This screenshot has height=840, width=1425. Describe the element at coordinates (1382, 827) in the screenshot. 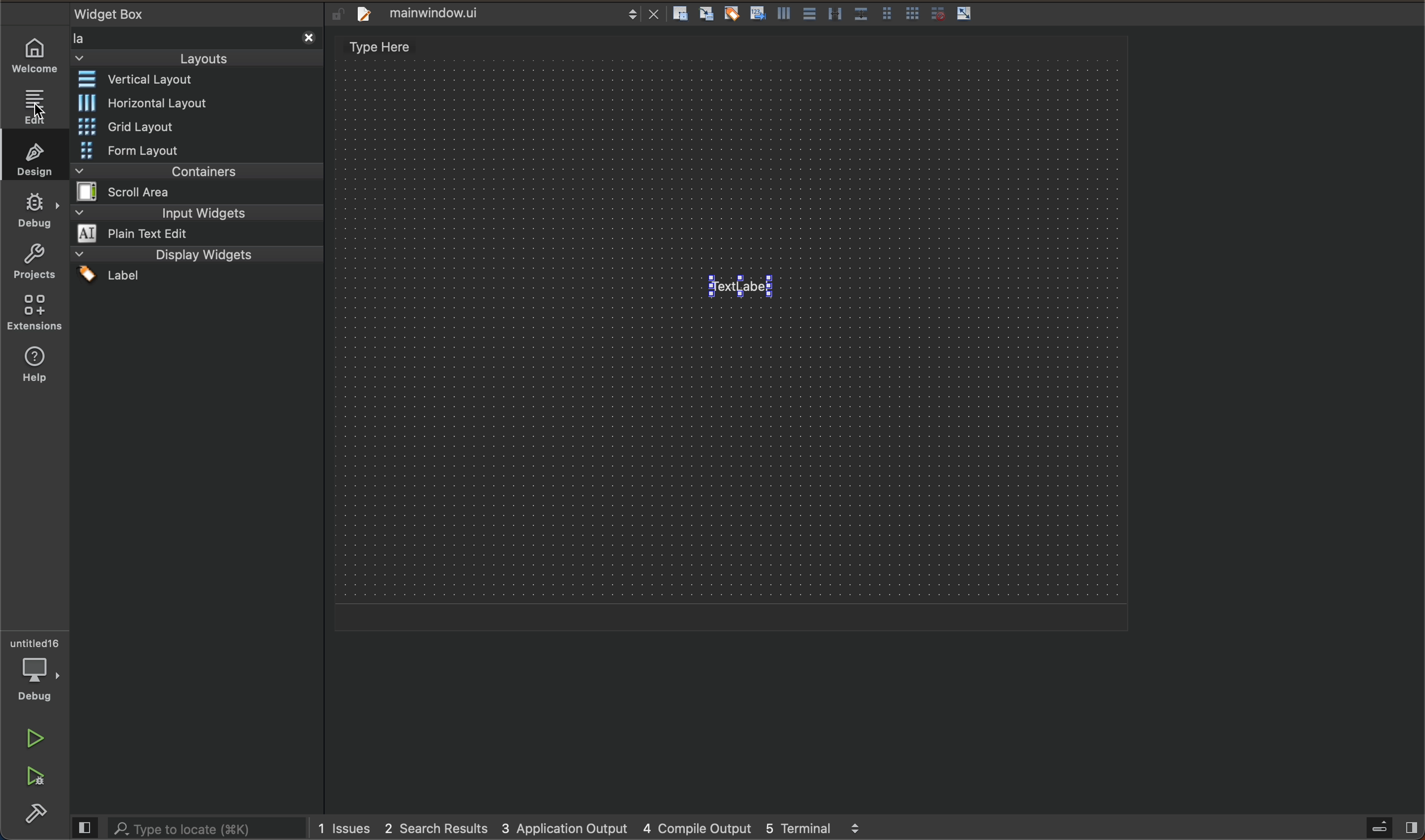

I see `open sidebar` at that location.